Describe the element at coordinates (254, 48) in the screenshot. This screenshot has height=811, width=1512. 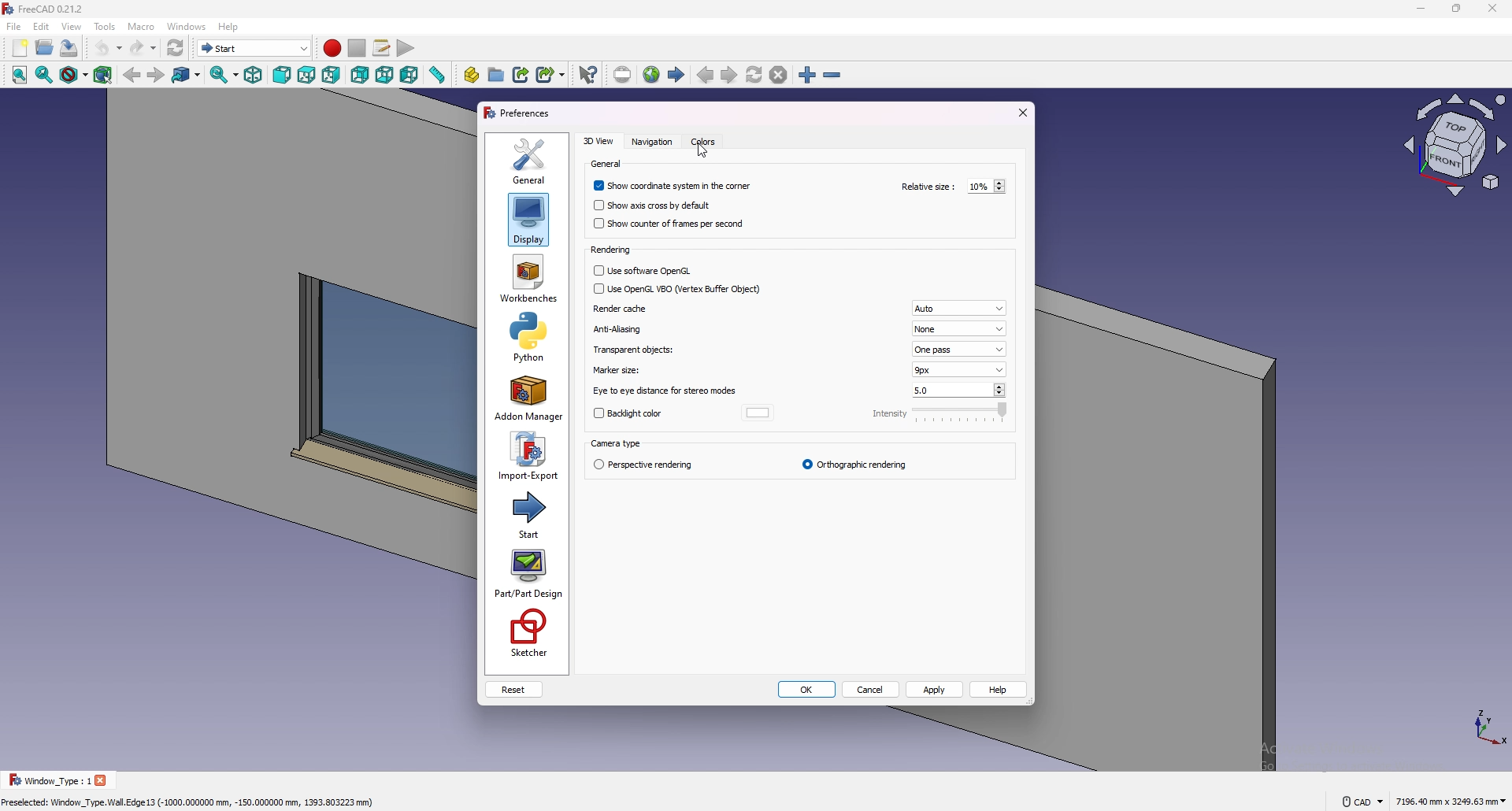
I see `switch between workbenches` at that location.